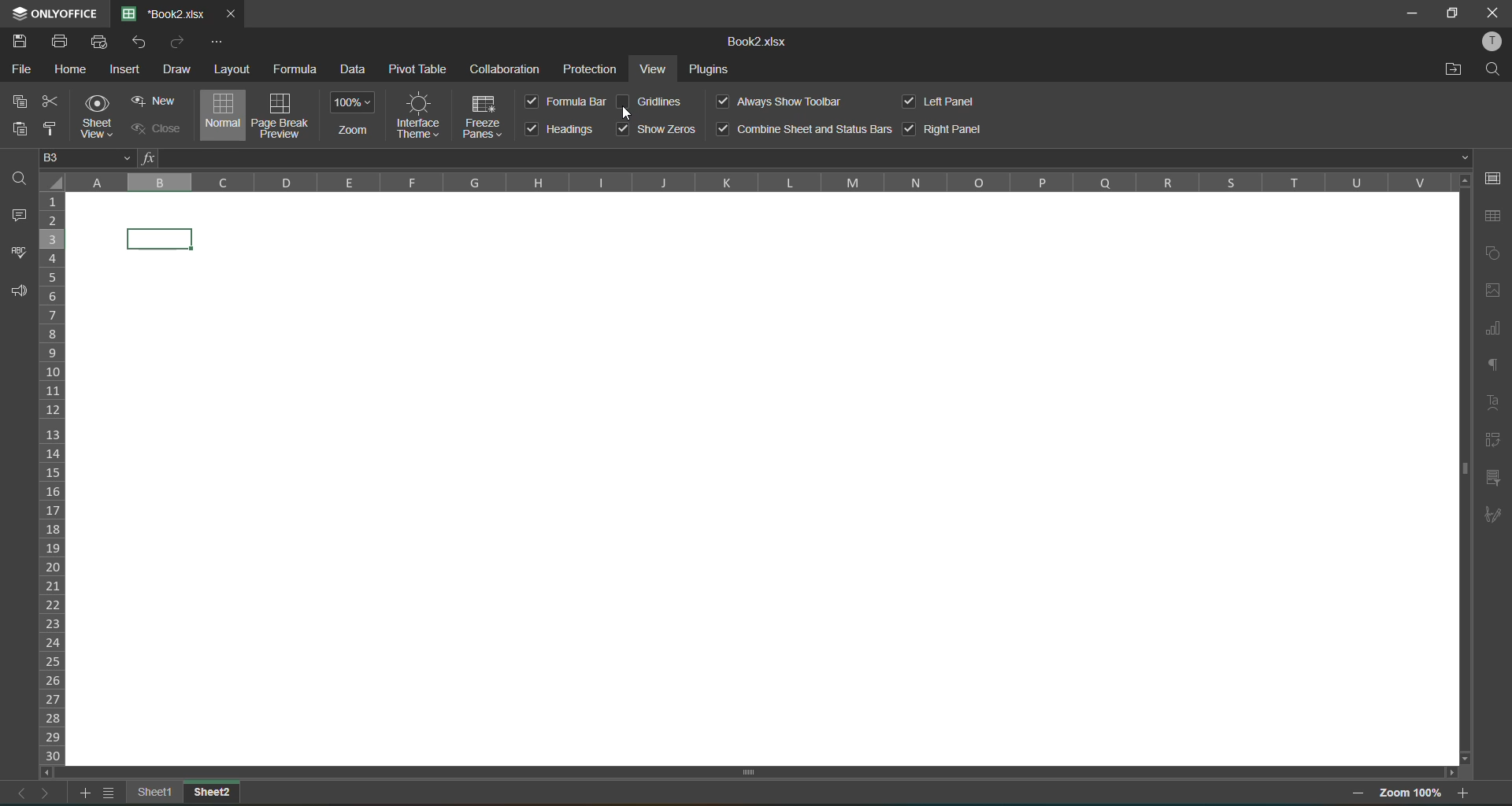  I want to click on right panel, so click(943, 130).